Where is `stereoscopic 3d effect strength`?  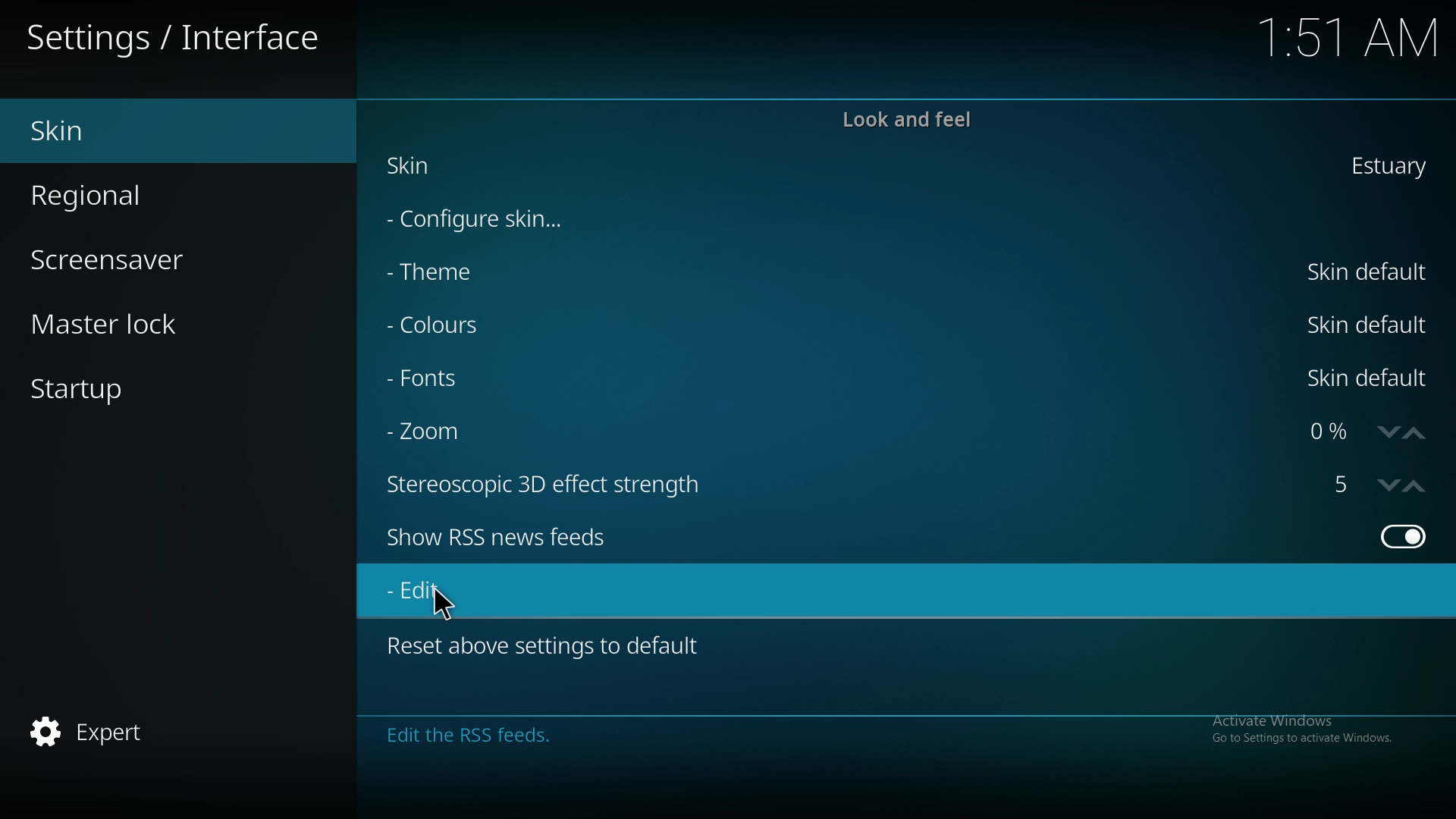
stereoscopic 3d effect strength is located at coordinates (554, 483).